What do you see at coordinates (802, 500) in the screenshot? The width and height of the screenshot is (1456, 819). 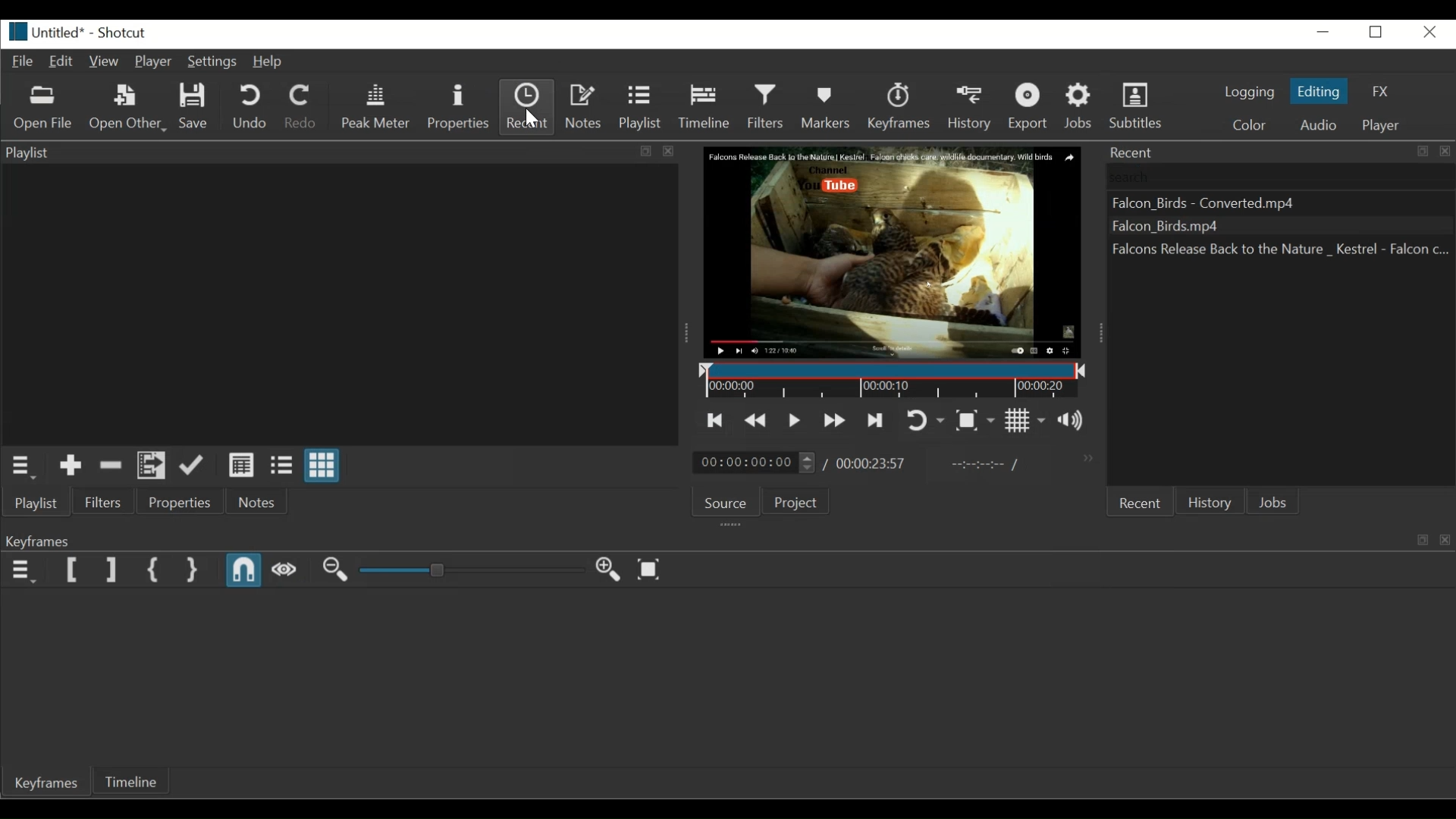 I see `Project` at bounding box center [802, 500].